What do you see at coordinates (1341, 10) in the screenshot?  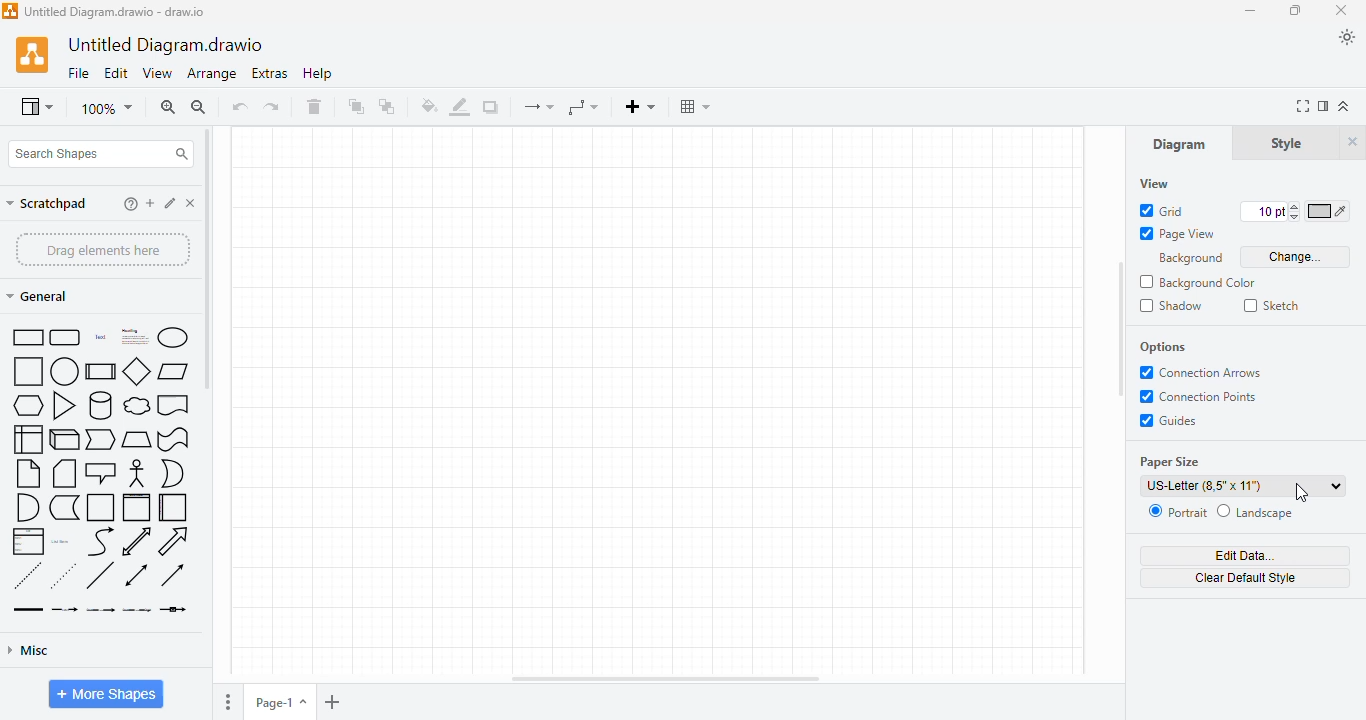 I see `close` at bounding box center [1341, 10].